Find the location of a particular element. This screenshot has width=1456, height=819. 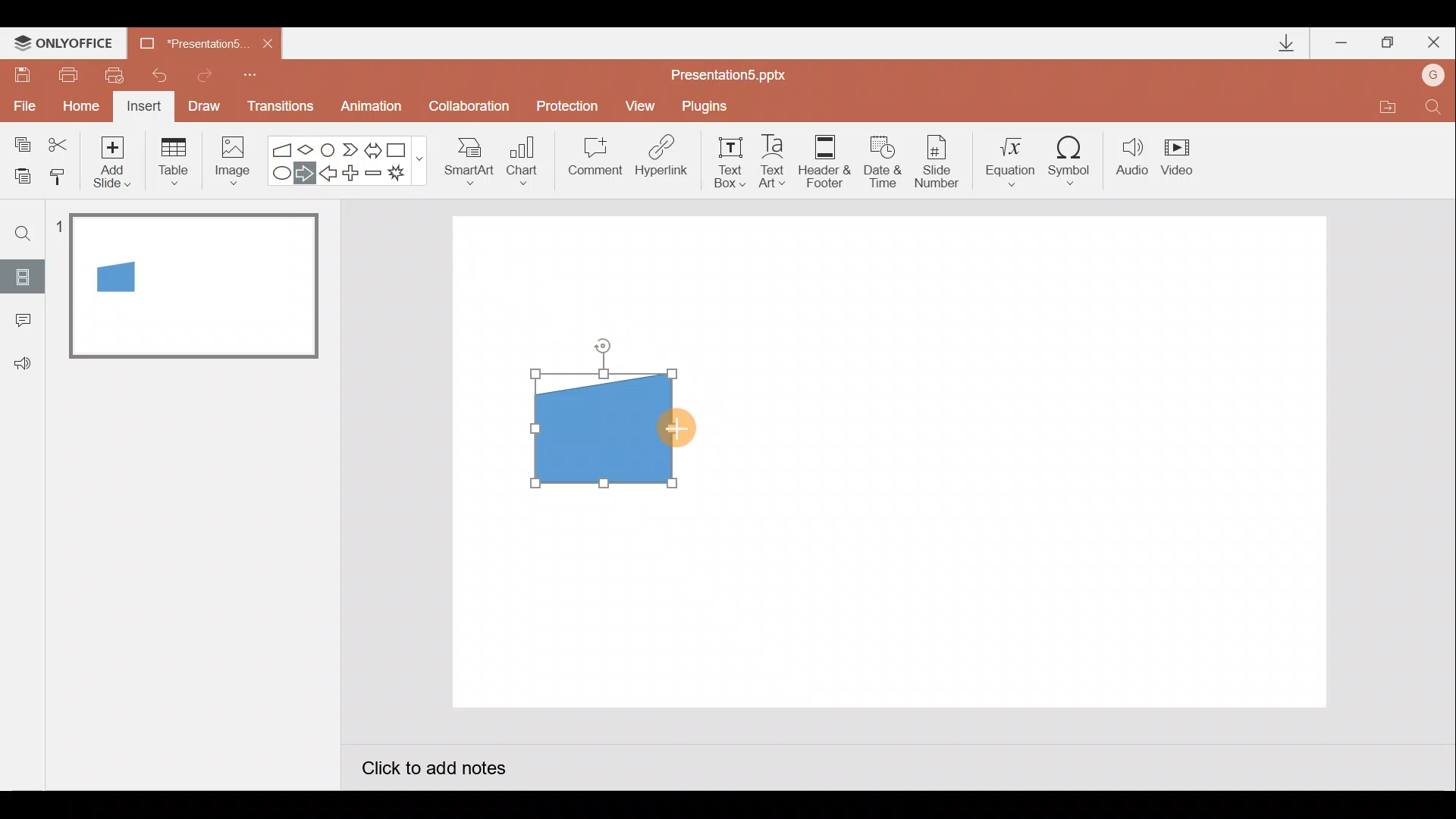

Click to add notes is located at coordinates (432, 770).